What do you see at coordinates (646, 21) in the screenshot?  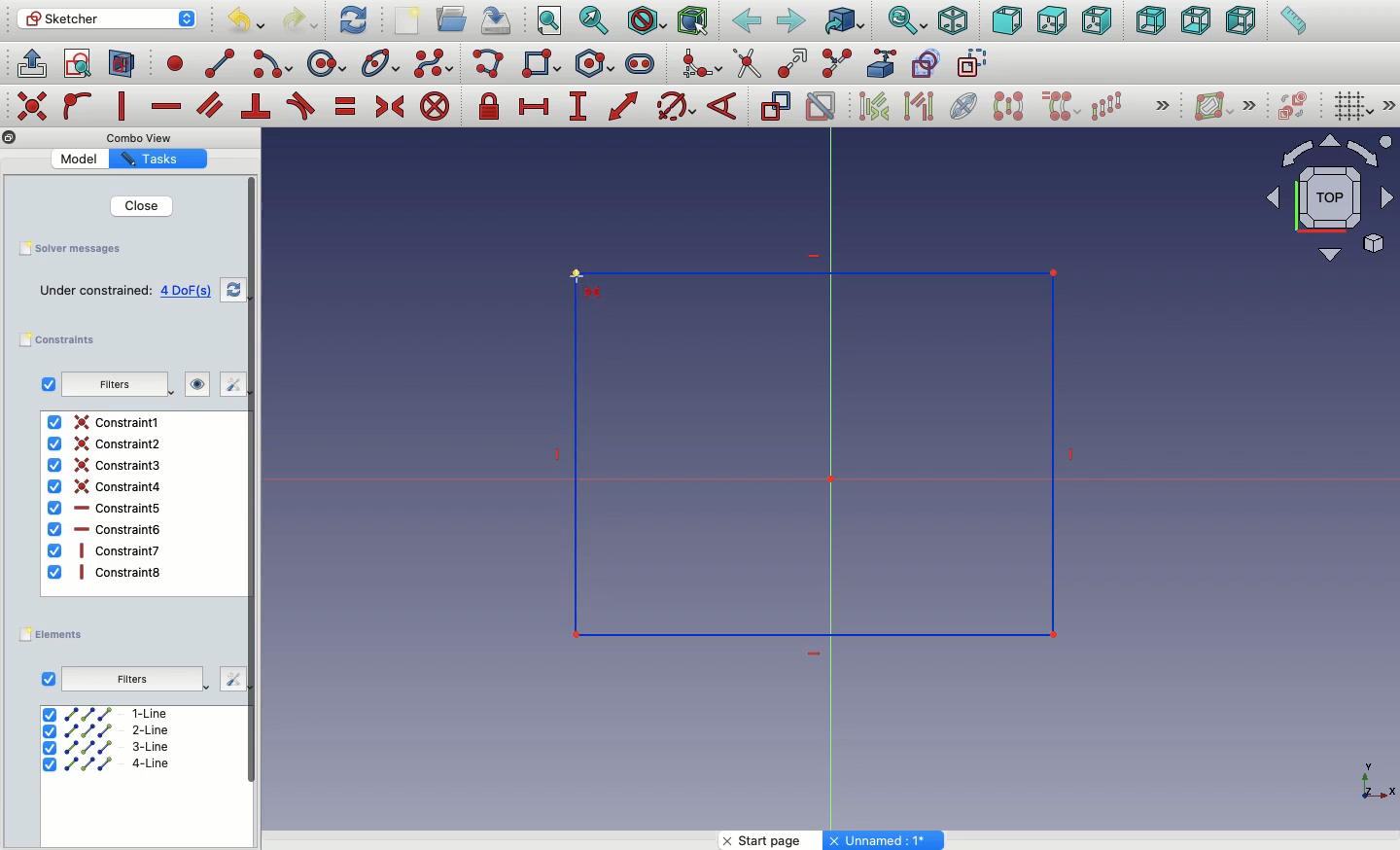 I see `Draw style` at bounding box center [646, 21].